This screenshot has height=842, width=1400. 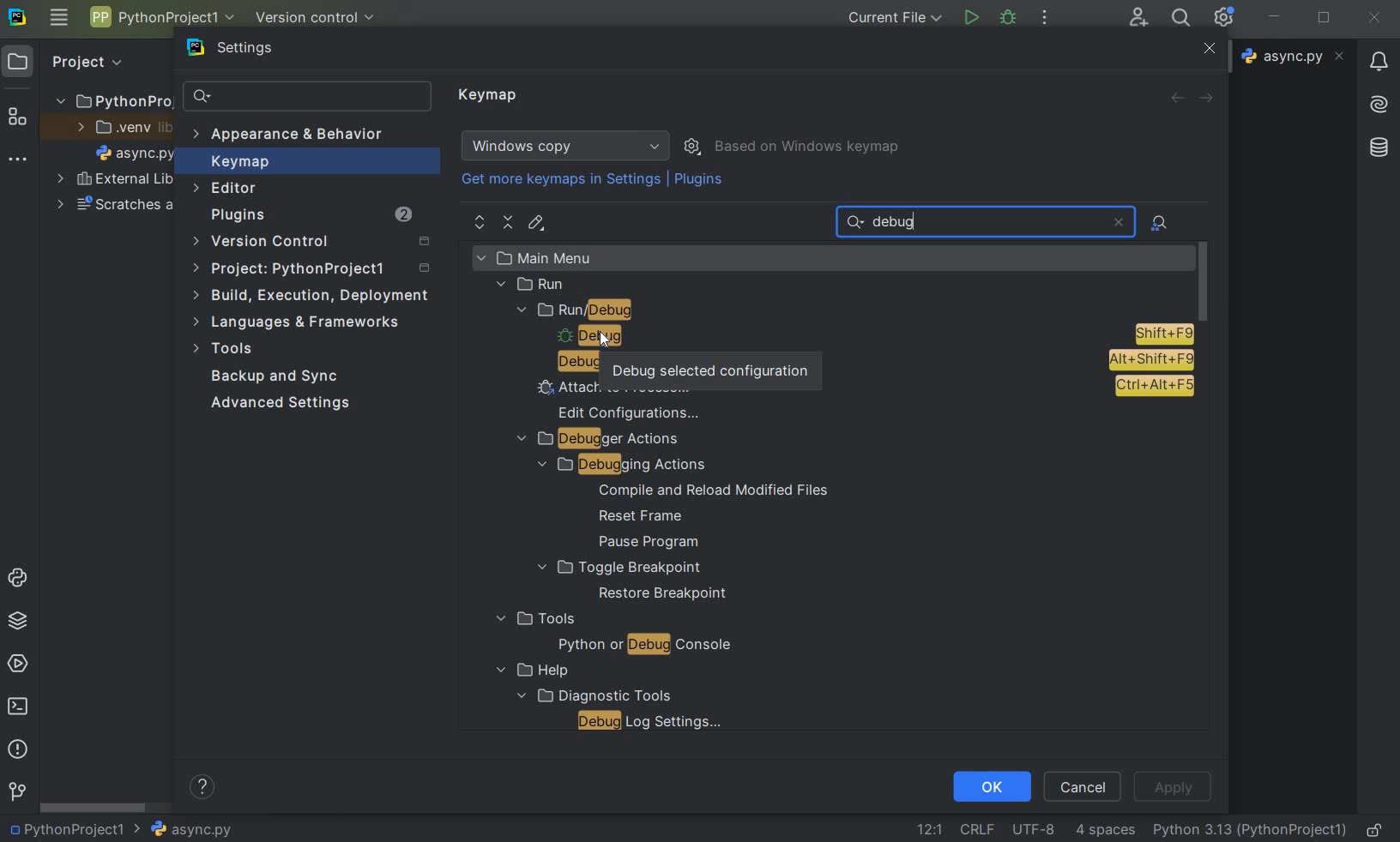 What do you see at coordinates (509, 223) in the screenshot?
I see `collapse all` at bounding box center [509, 223].